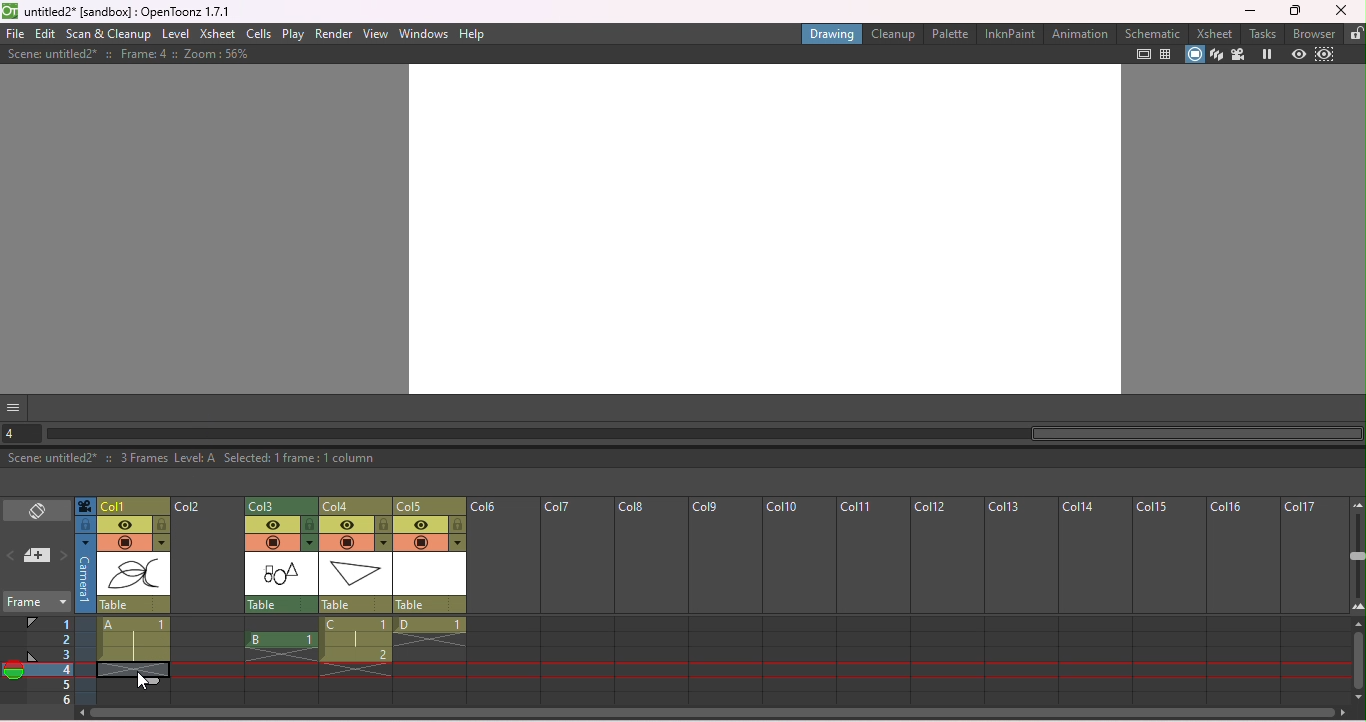 The height and width of the screenshot is (722, 1366). Describe the element at coordinates (217, 35) in the screenshot. I see `Xsheet` at that location.